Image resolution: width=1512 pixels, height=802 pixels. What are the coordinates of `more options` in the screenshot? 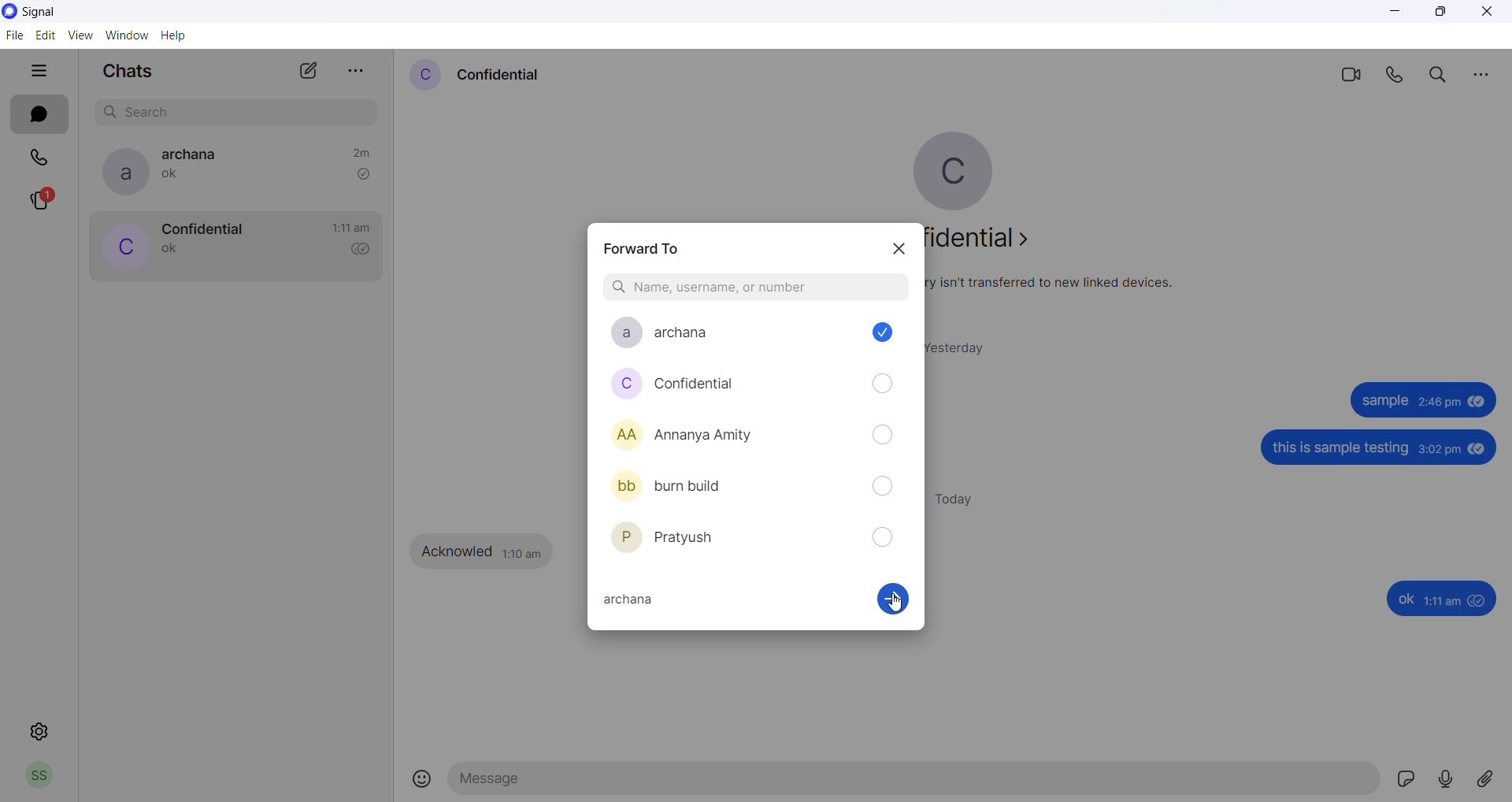 It's located at (1480, 73).